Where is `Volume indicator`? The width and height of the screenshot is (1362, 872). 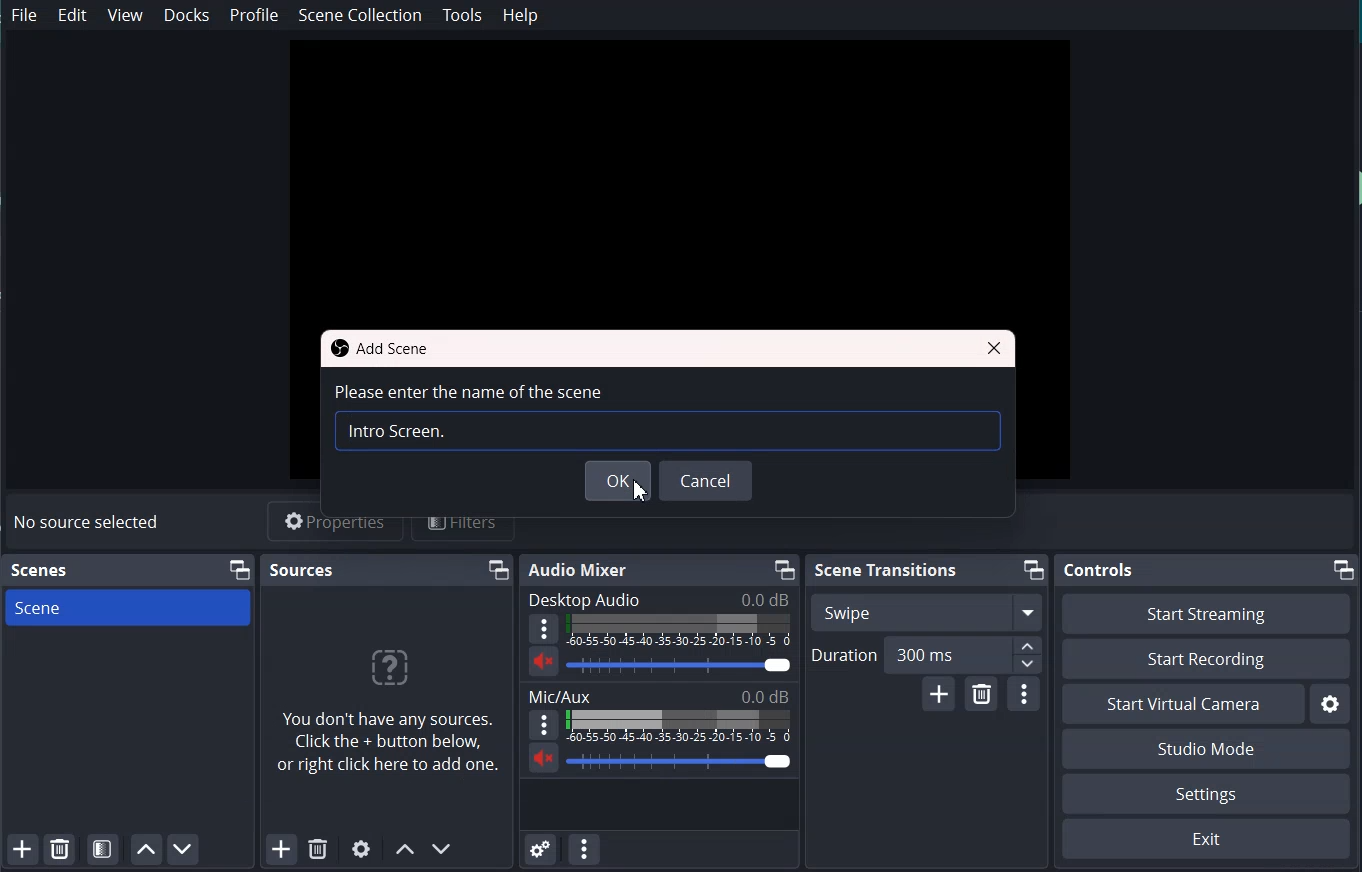 Volume indicator is located at coordinates (679, 630).